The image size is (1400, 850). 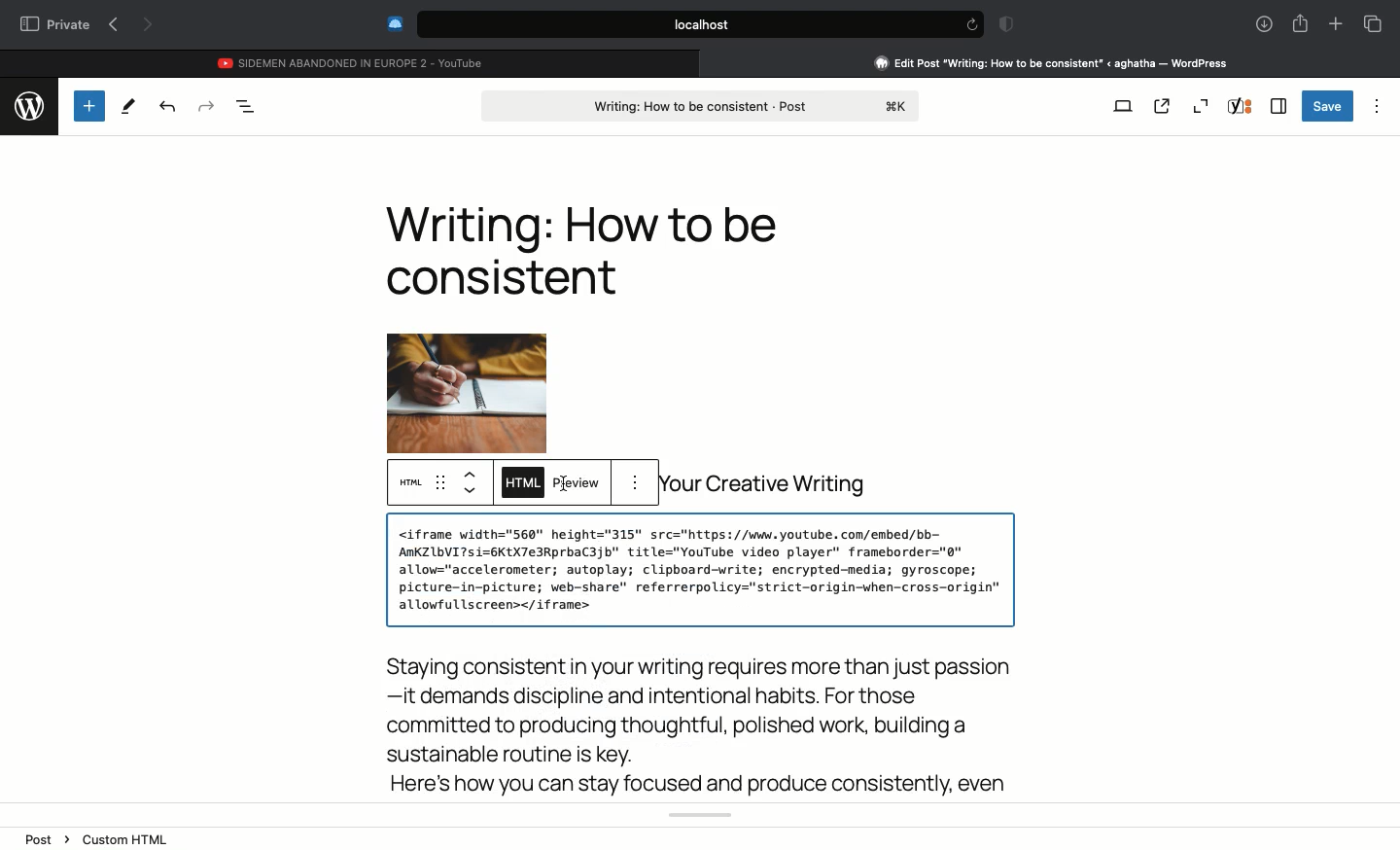 What do you see at coordinates (579, 486) in the screenshot?
I see `Click preview` at bounding box center [579, 486].